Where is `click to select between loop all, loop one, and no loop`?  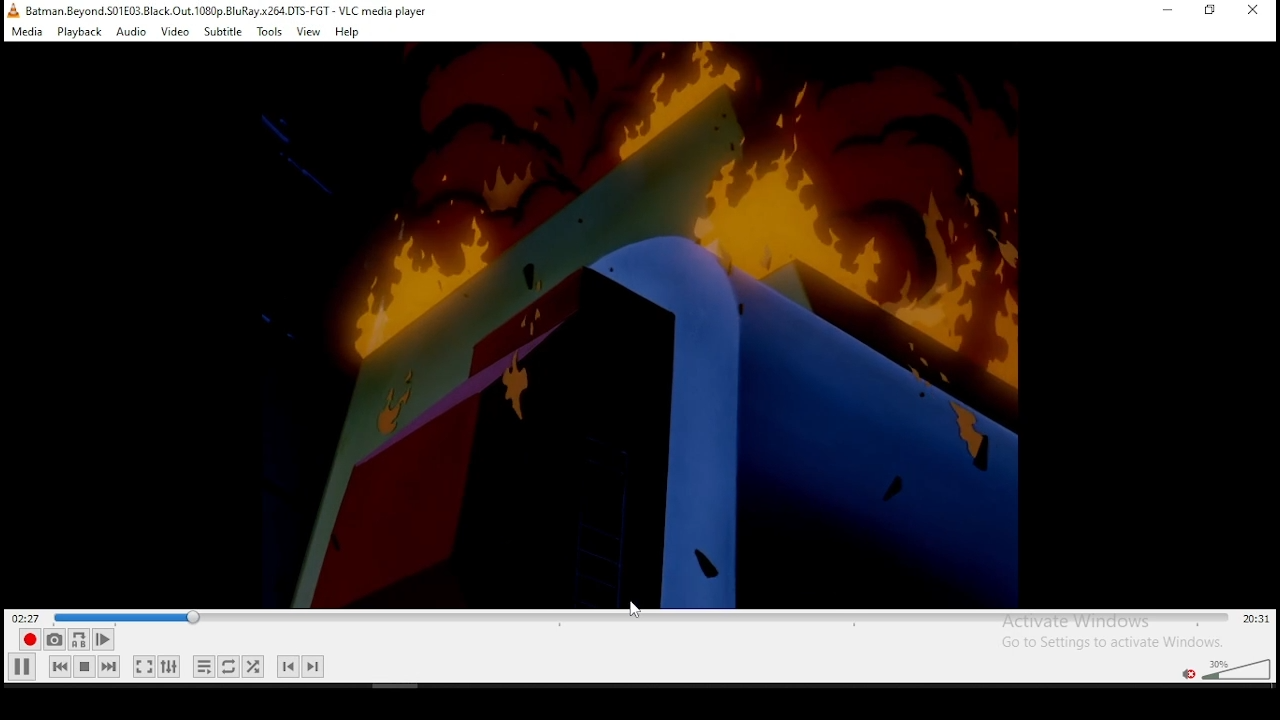
click to select between loop all, loop one, and no loop is located at coordinates (227, 668).